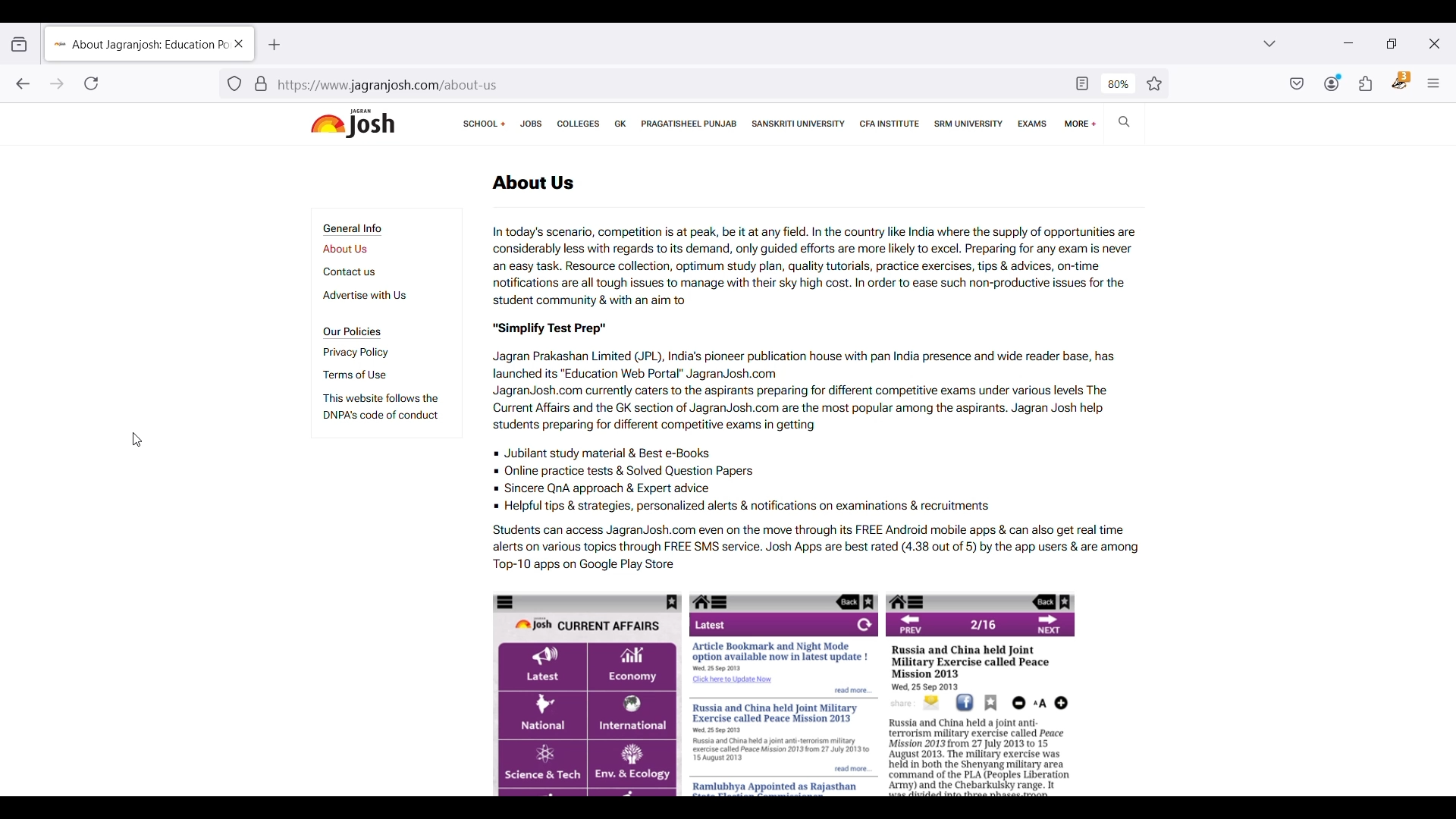 Image resolution: width=1456 pixels, height=819 pixels. What do you see at coordinates (1333, 83) in the screenshot?
I see `Account` at bounding box center [1333, 83].